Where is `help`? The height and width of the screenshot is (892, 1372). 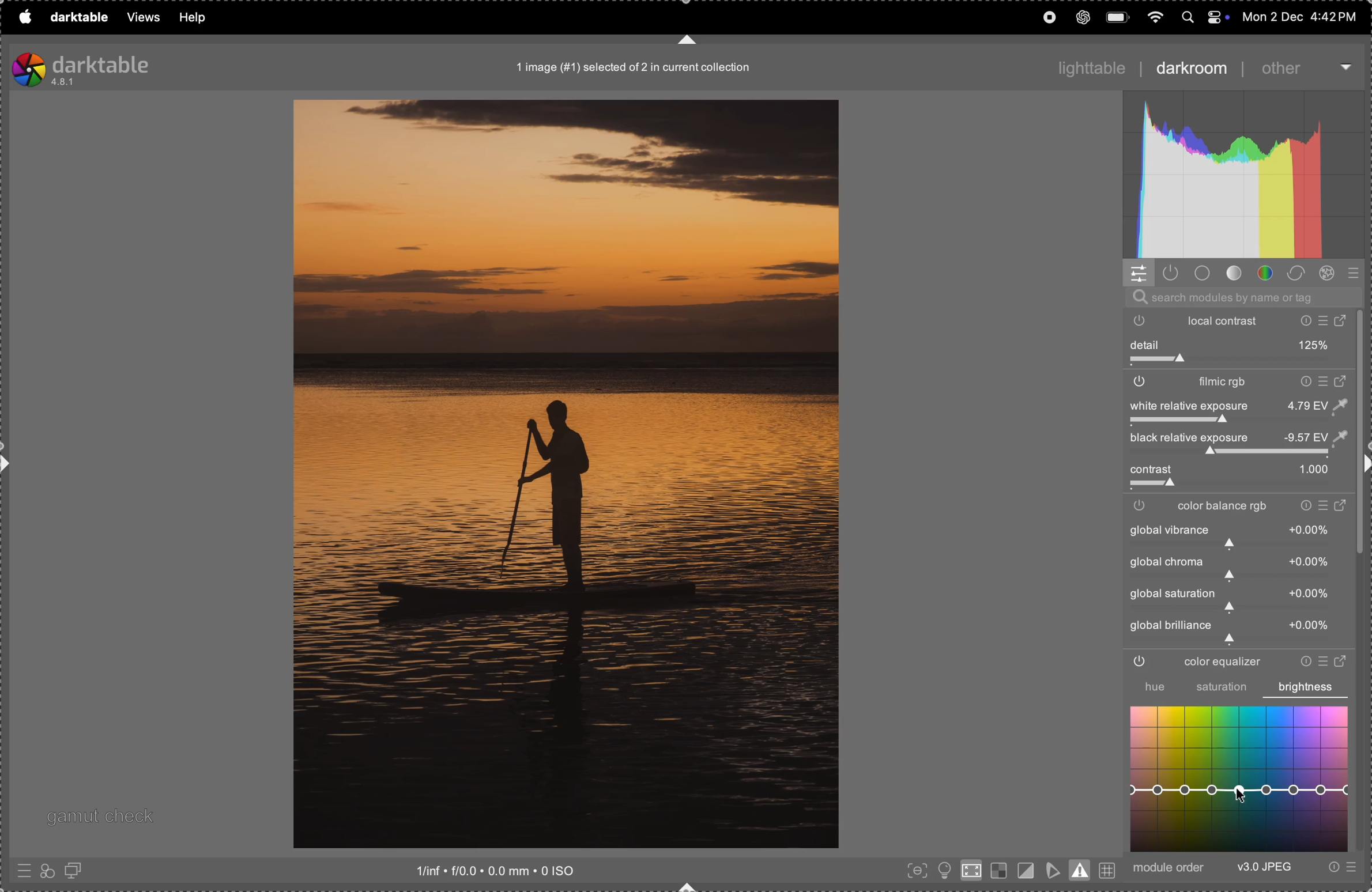
help is located at coordinates (193, 17).